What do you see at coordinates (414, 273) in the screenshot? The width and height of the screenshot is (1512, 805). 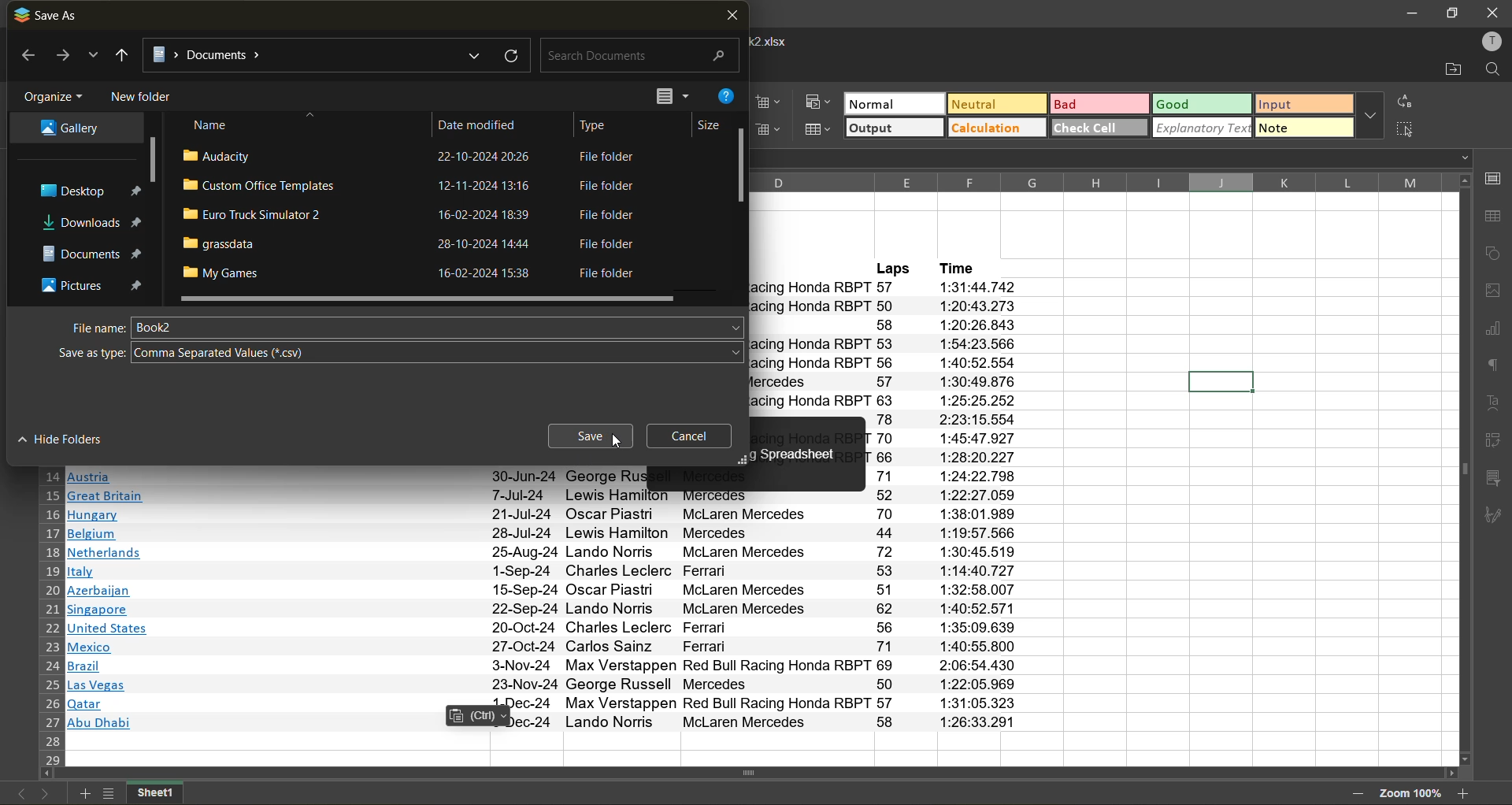 I see `file` at bounding box center [414, 273].